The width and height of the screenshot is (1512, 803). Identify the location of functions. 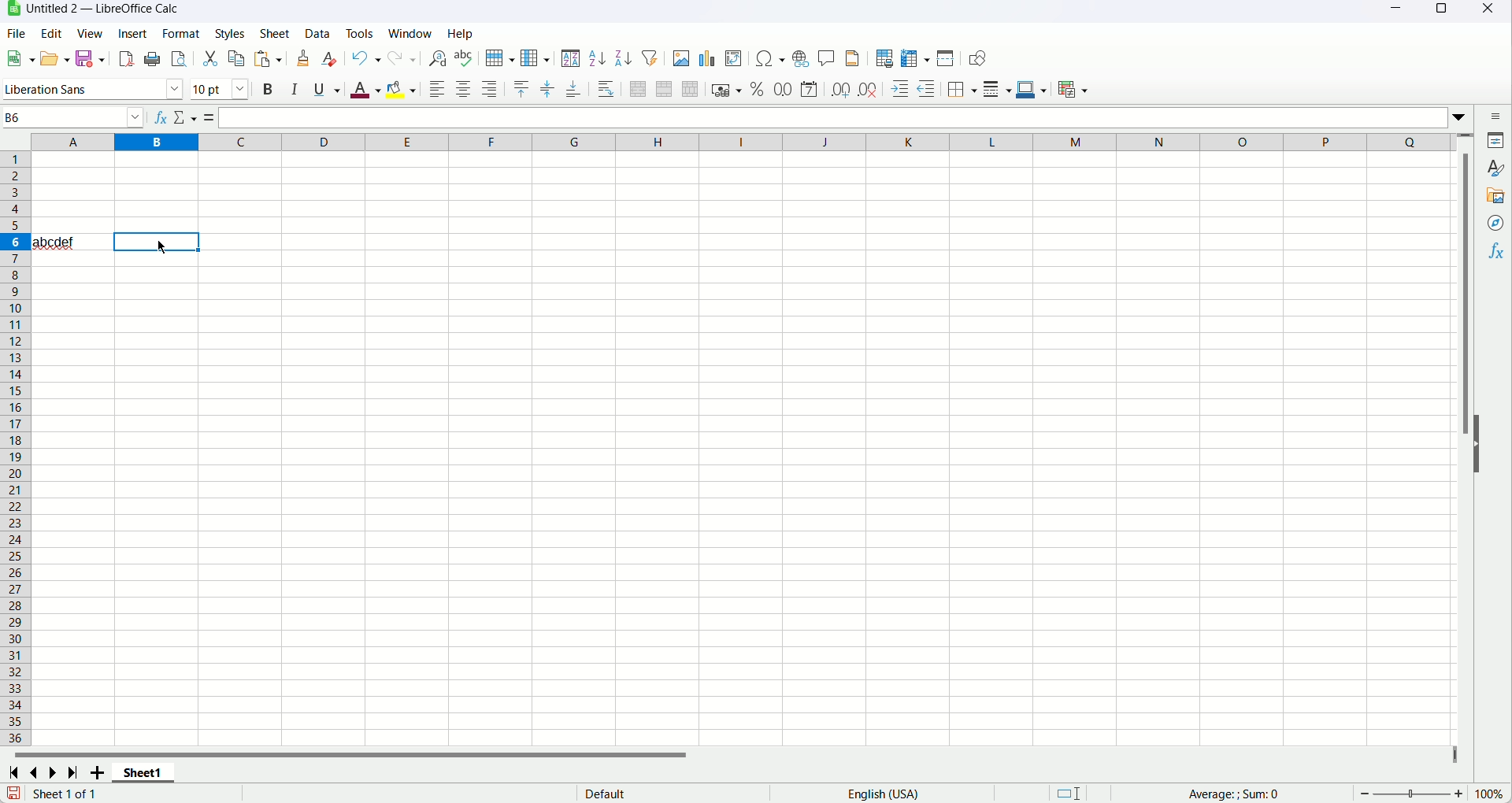
(1494, 253).